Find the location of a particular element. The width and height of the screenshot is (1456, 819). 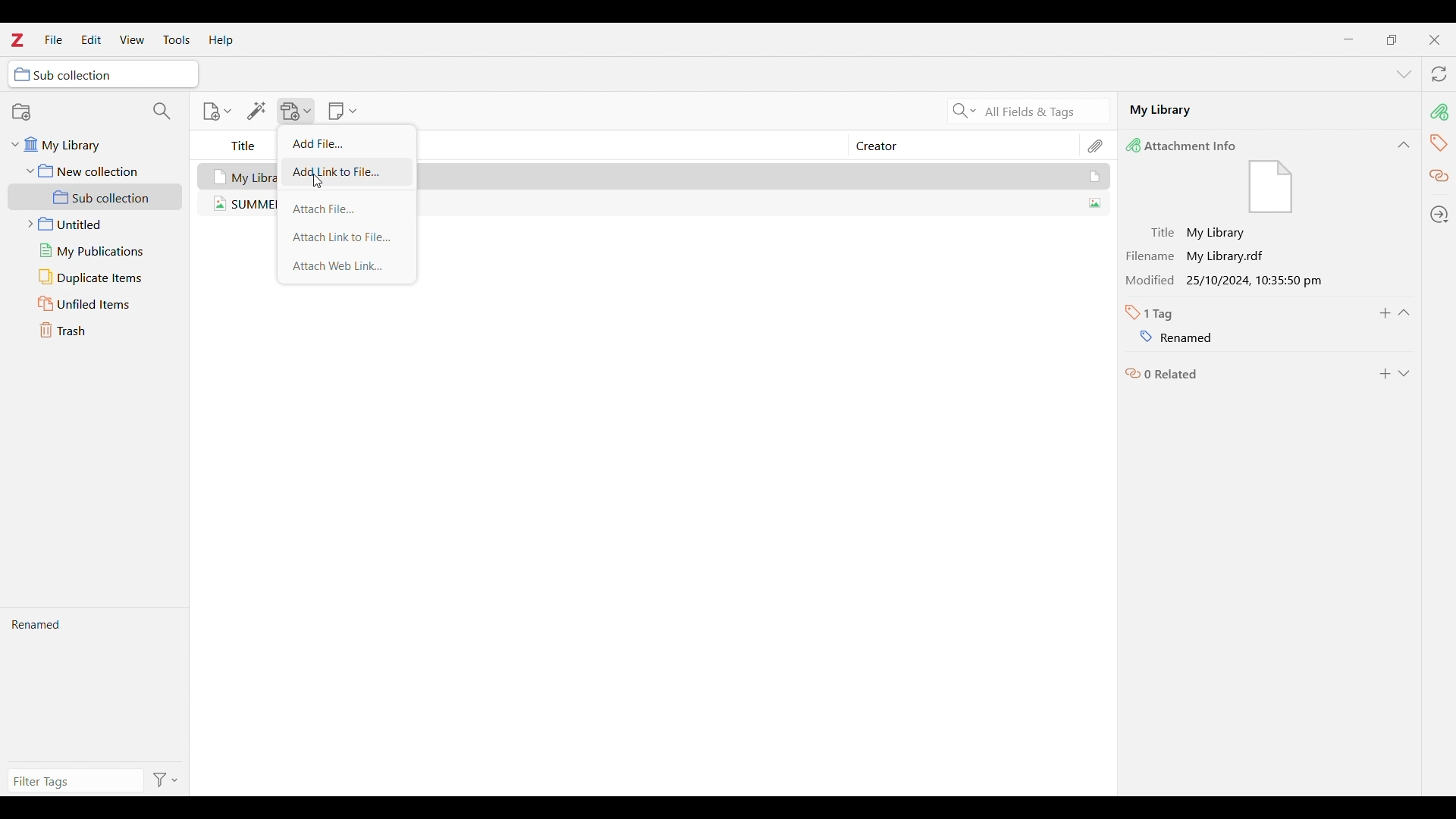

Add link to file is located at coordinates (347, 173).